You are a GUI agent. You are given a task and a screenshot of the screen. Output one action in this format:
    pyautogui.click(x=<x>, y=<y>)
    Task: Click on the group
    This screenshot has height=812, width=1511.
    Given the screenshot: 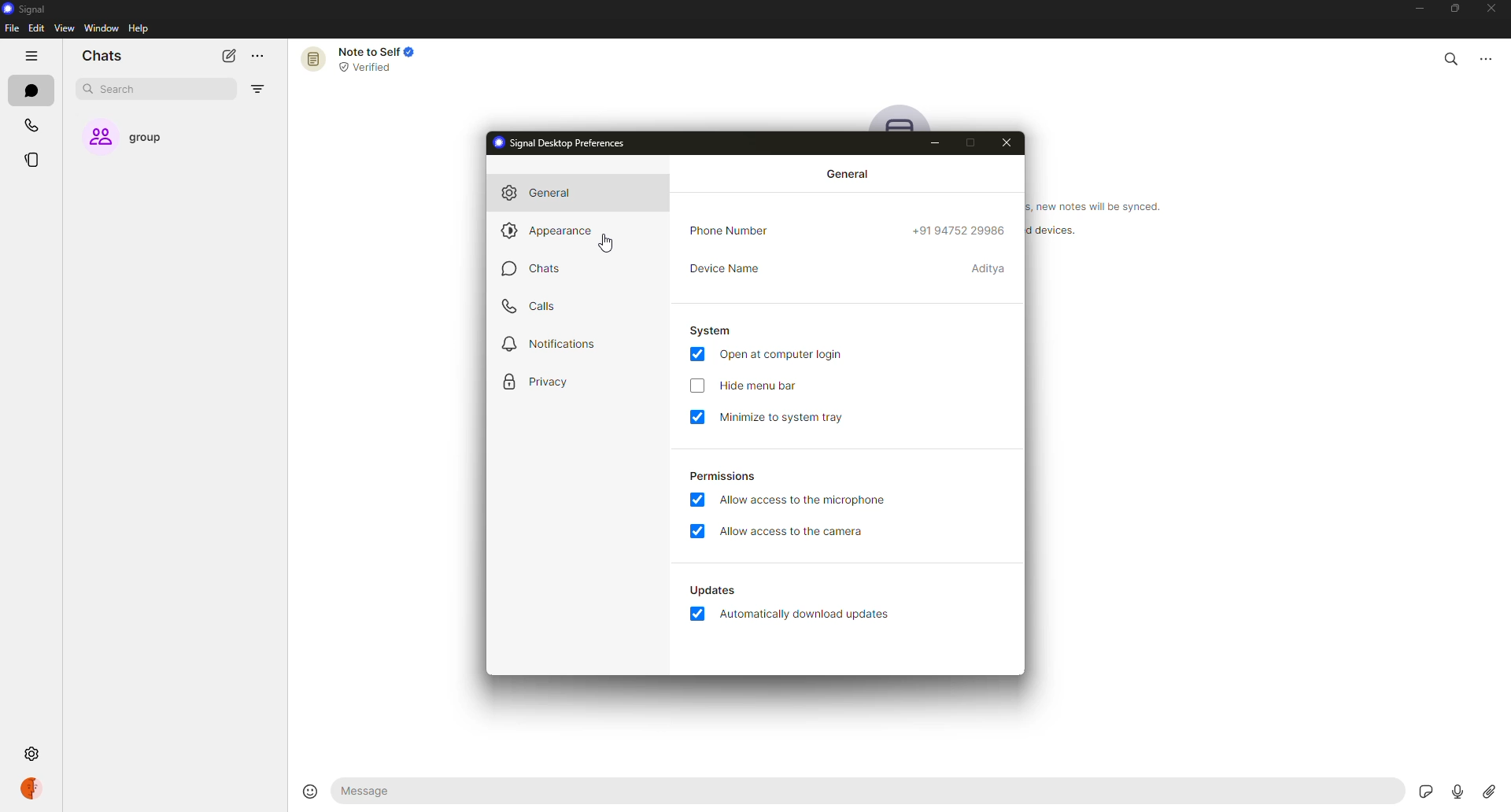 What is the action you would take?
    pyautogui.click(x=139, y=138)
    